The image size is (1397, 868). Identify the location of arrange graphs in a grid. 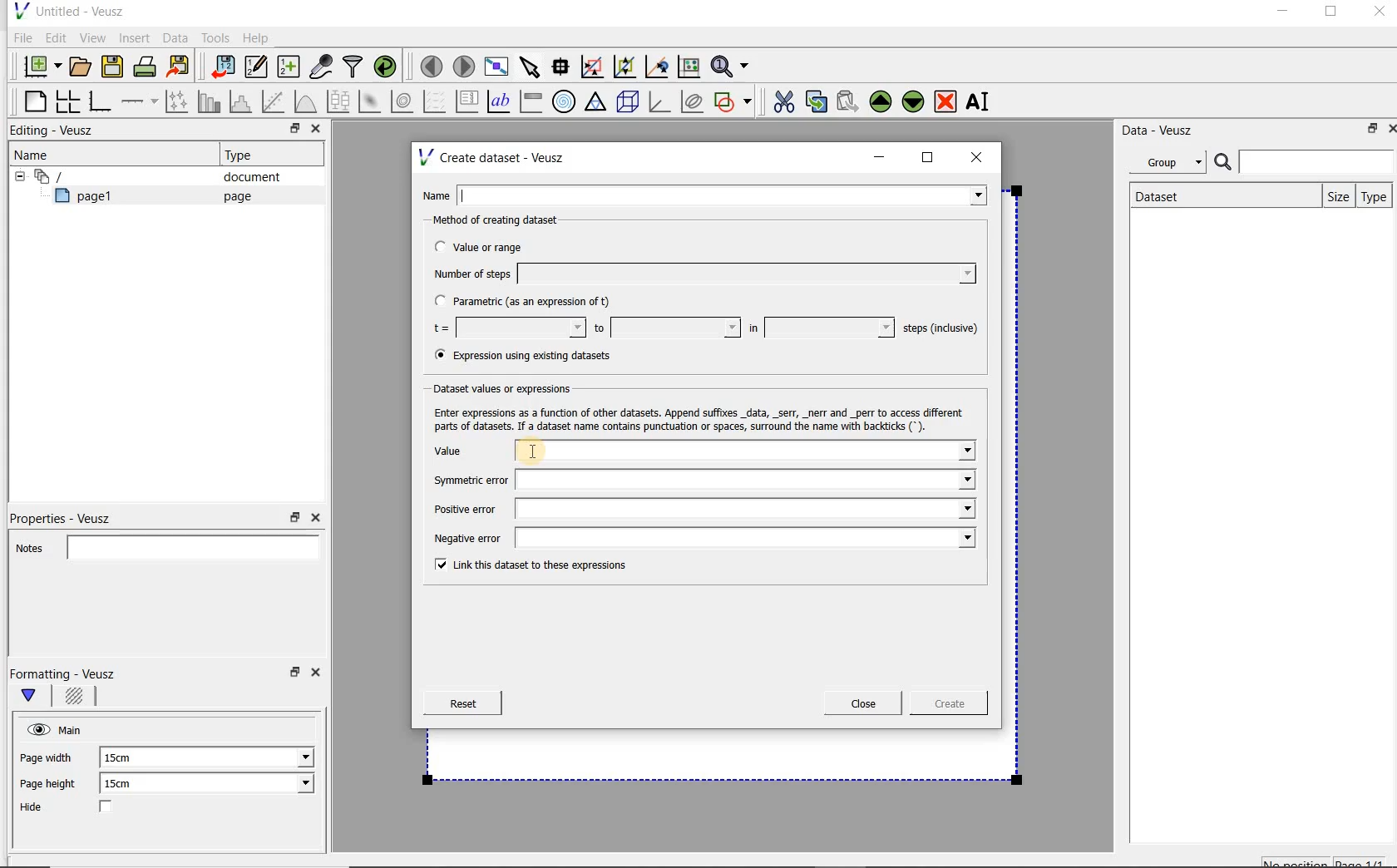
(67, 101).